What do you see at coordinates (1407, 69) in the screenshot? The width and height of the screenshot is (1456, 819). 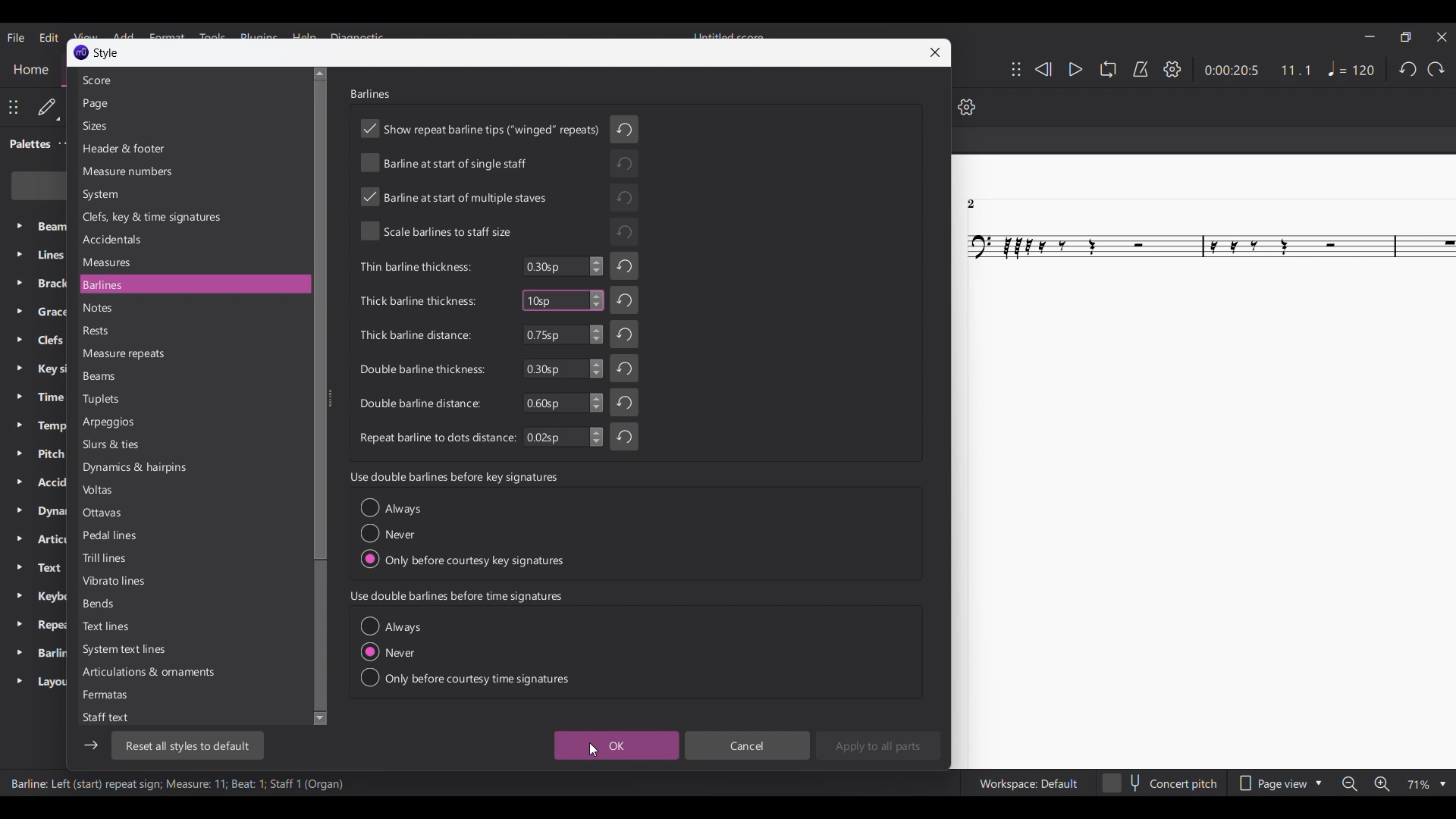 I see `Undo` at bounding box center [1407, 69].